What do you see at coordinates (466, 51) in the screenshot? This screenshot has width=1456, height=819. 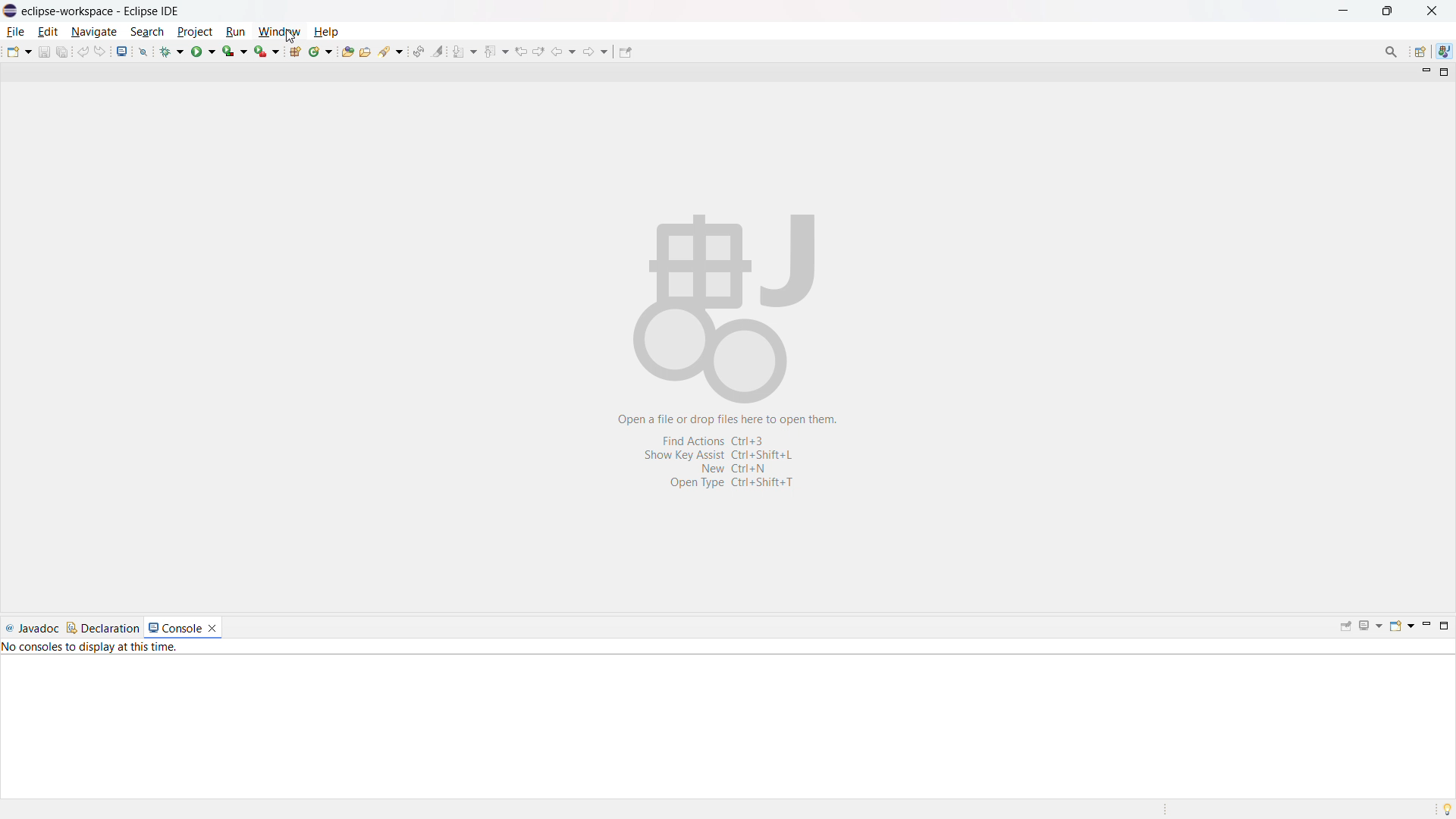 I see `next annotation` at bounding box center [466, 51].